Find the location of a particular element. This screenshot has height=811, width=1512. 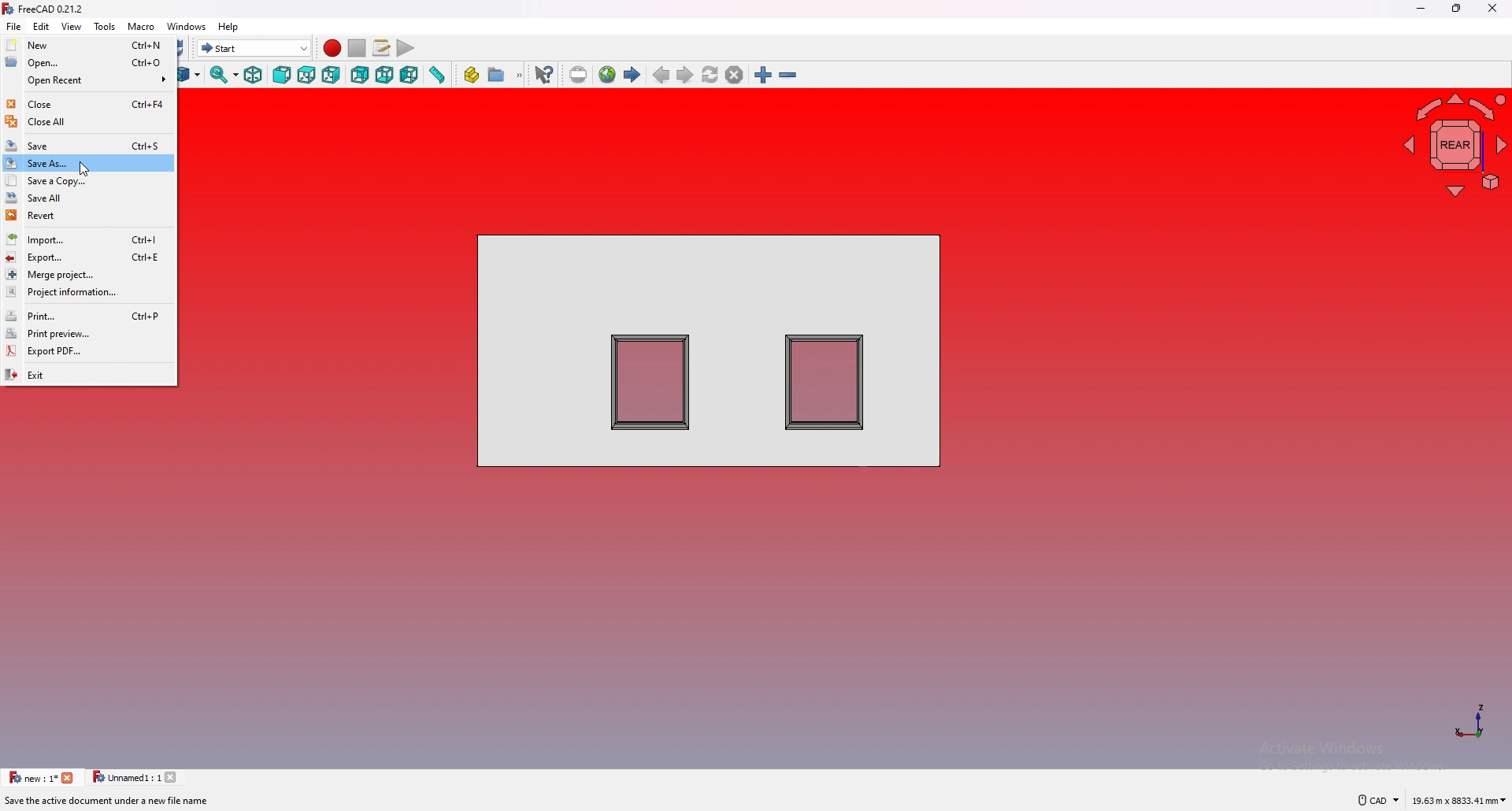

tools is located at coordinates (104, 26).